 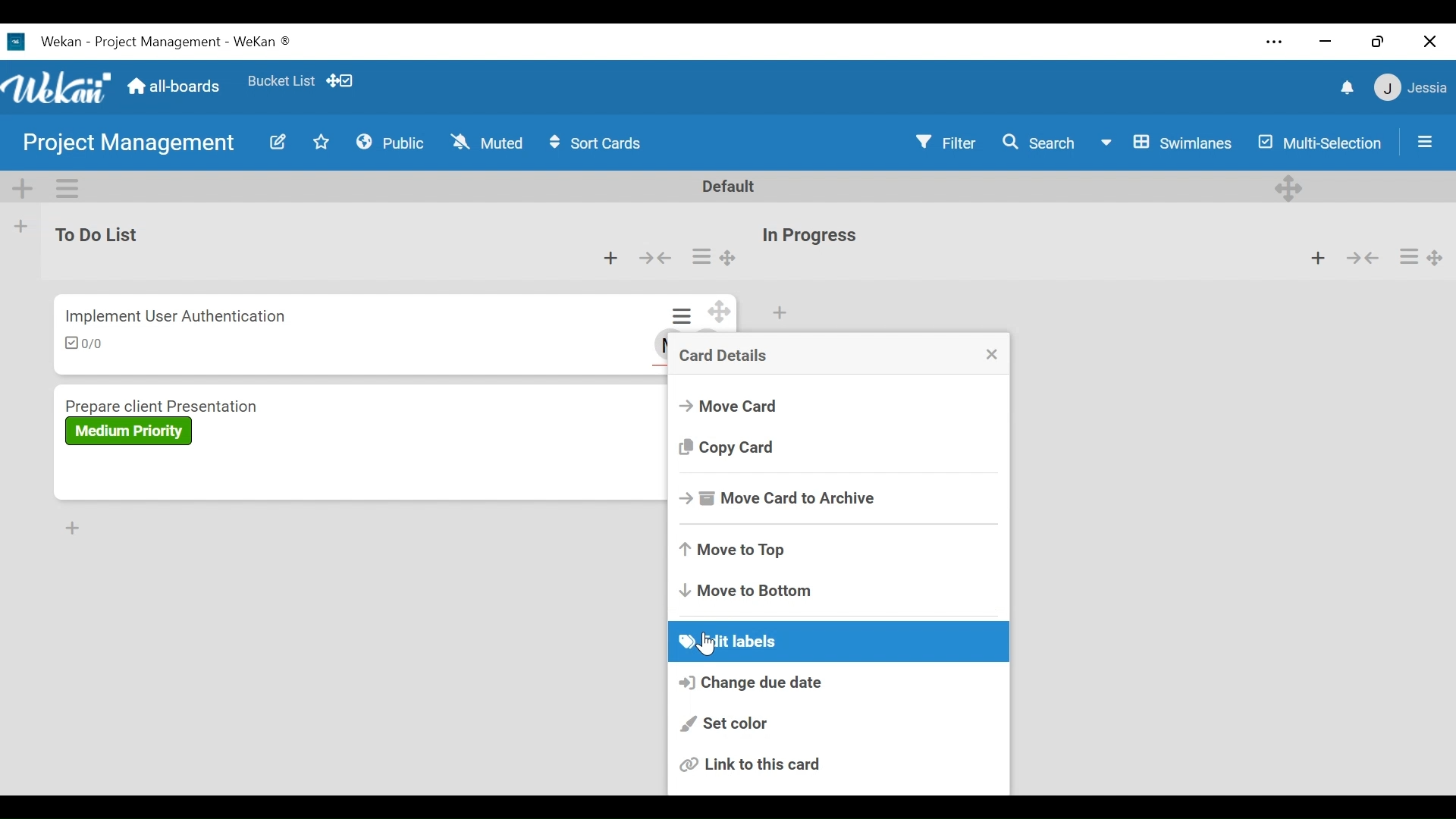 What do you see at coordinates (700, 257) in the screenshot?
I see `Card actions` at bounding box center [700, 257].